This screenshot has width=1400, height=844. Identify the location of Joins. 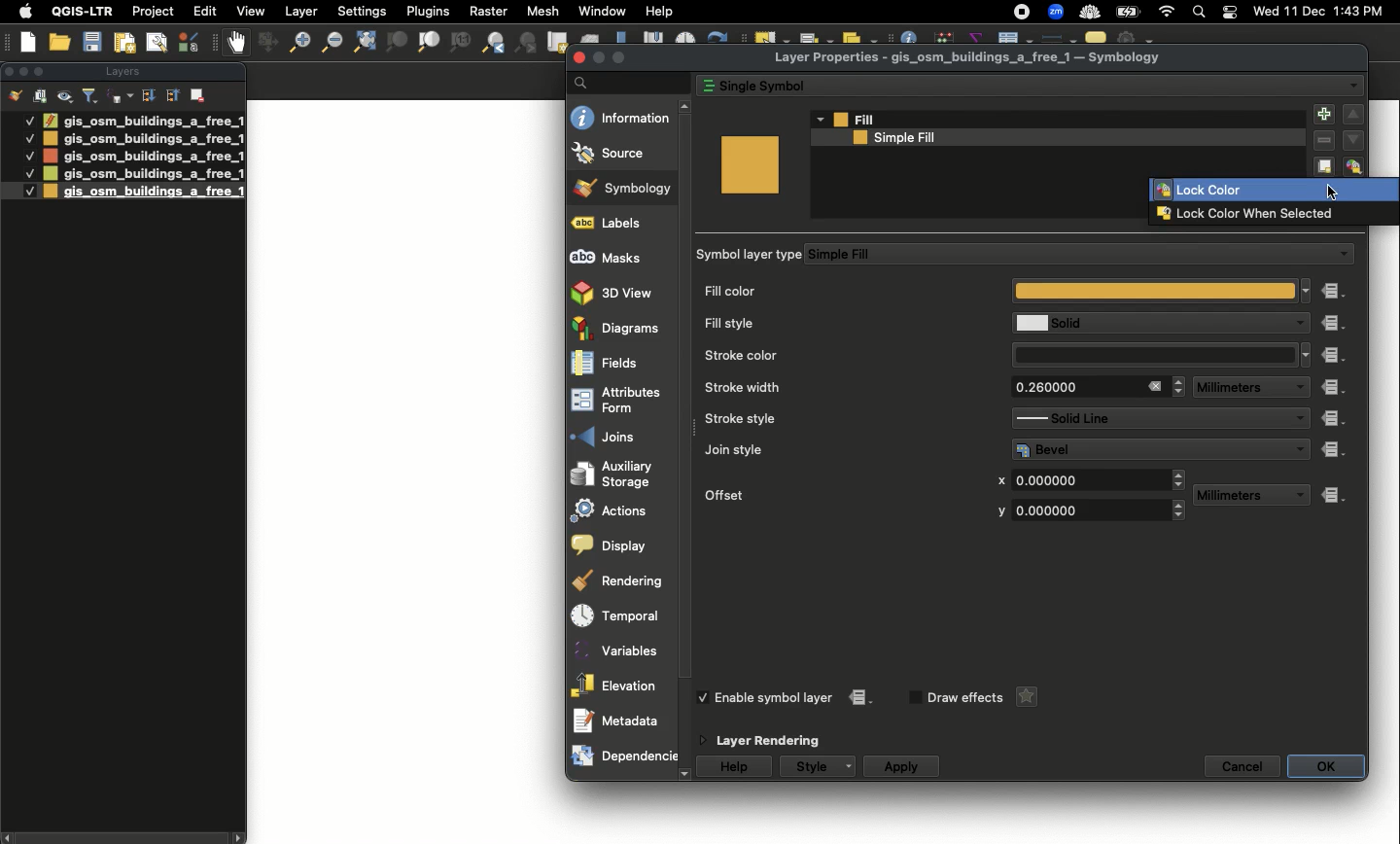
(622, 436).